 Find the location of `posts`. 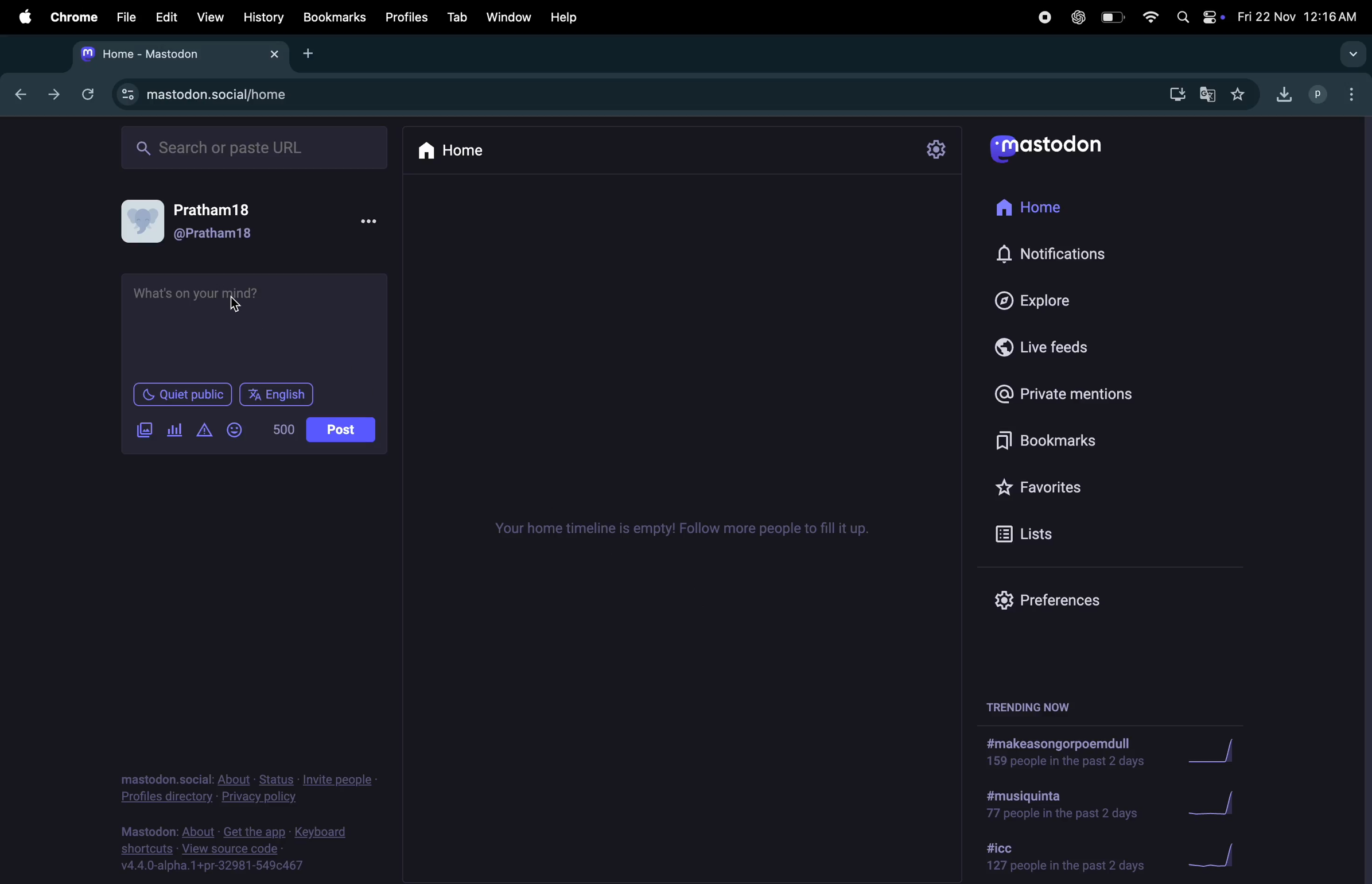

posts is located at coordinates (341, 431).